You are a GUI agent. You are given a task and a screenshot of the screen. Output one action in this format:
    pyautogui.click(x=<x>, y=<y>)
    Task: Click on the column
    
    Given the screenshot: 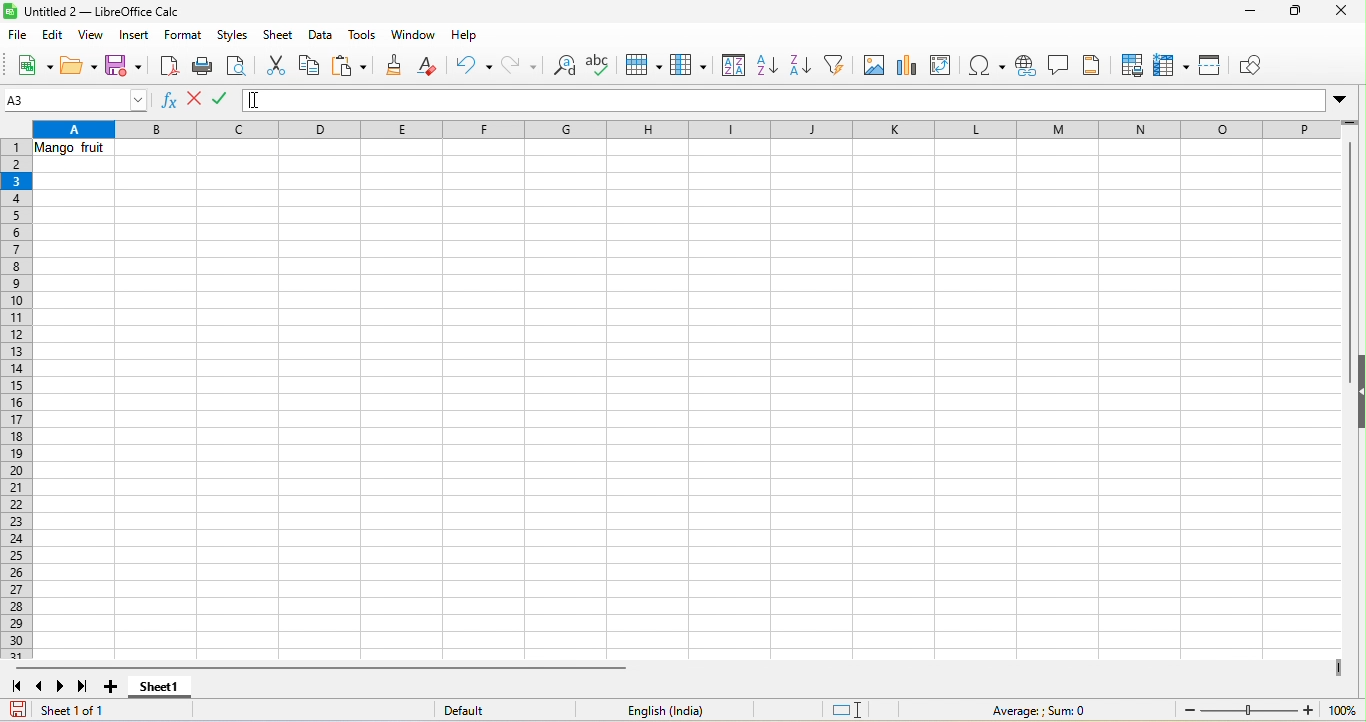 What is the action you would take?
    pyautogui.click(x=689, y=67)
    